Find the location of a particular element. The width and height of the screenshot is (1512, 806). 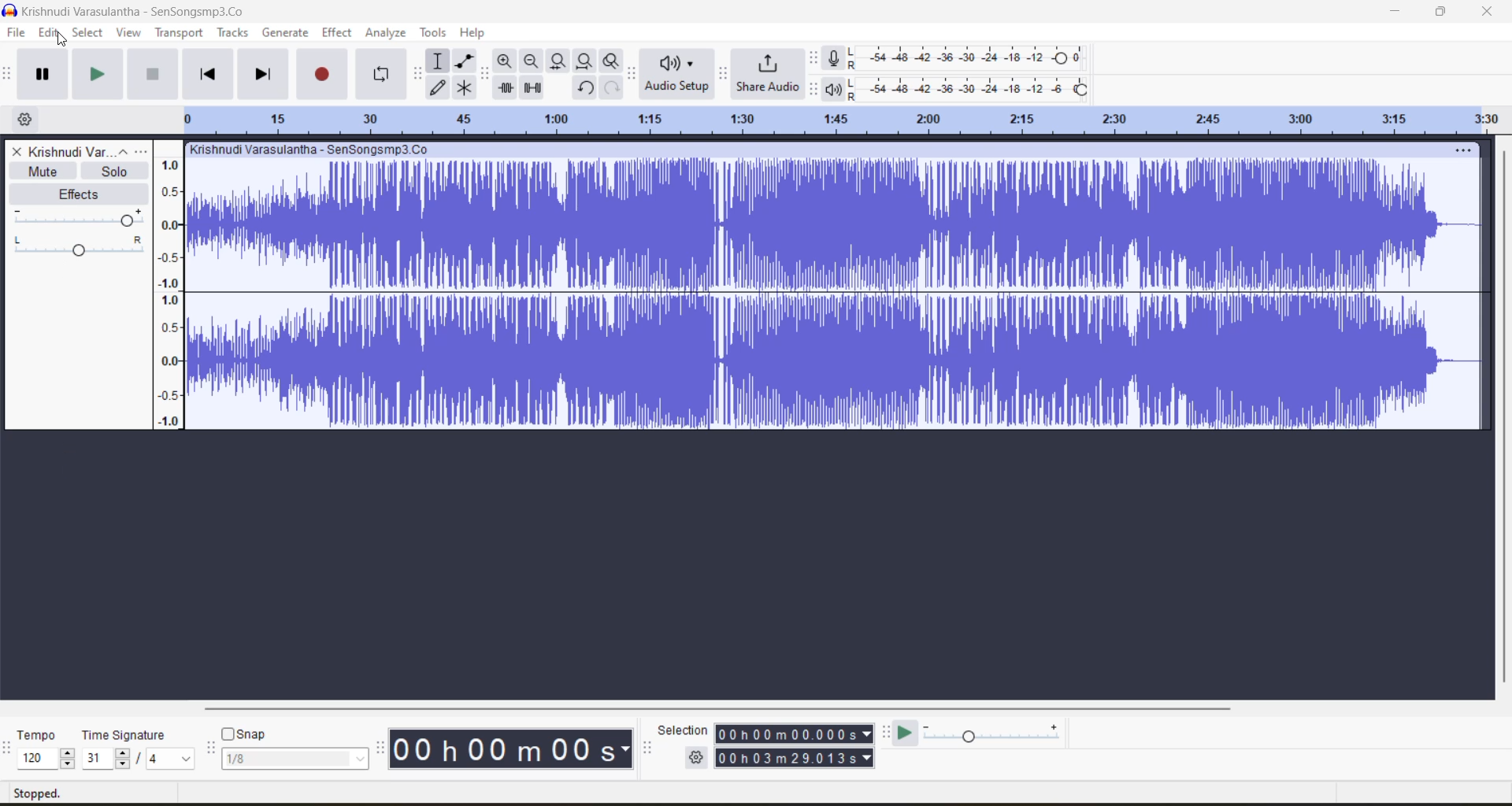

tools is located at coordinates (434, 33).